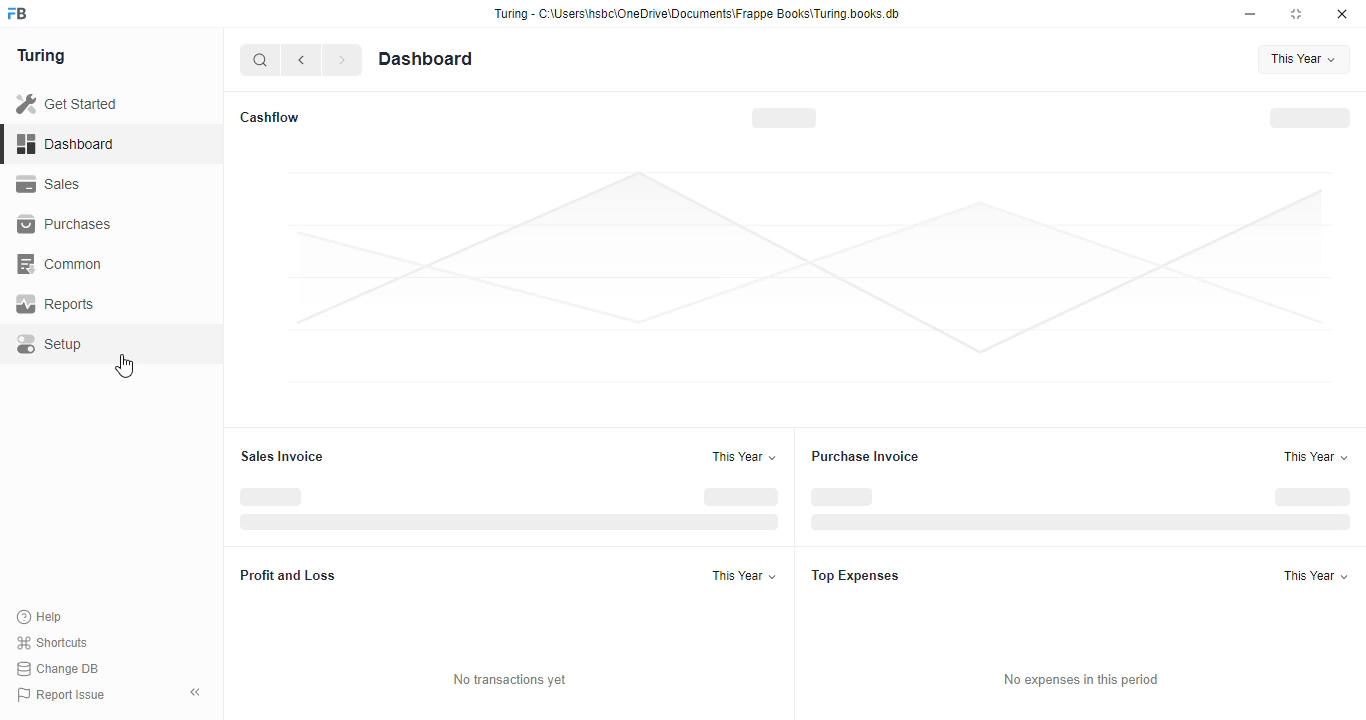 This screenshot has height=720, width=1366. Describe the element at coordinates (1342, 14) in the screenshot. I see `close` at that location.